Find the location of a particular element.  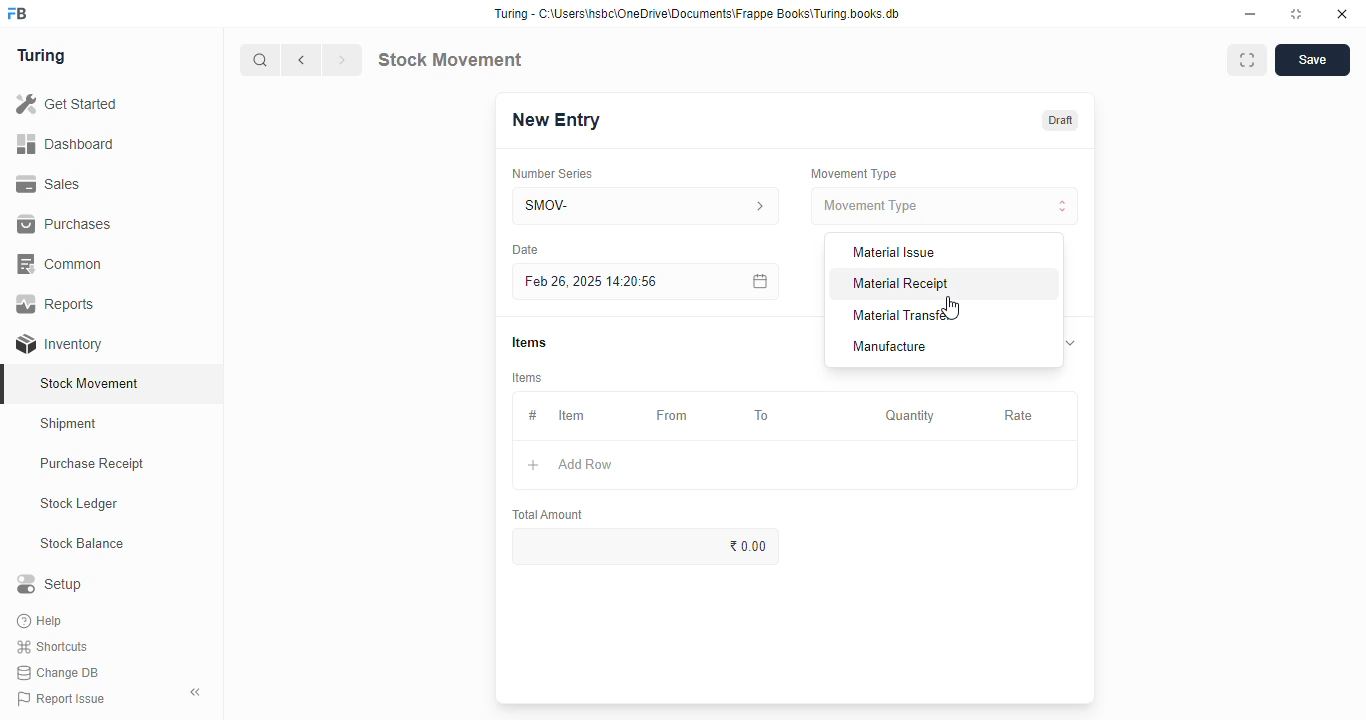

items is located at coordinates (528, 378).